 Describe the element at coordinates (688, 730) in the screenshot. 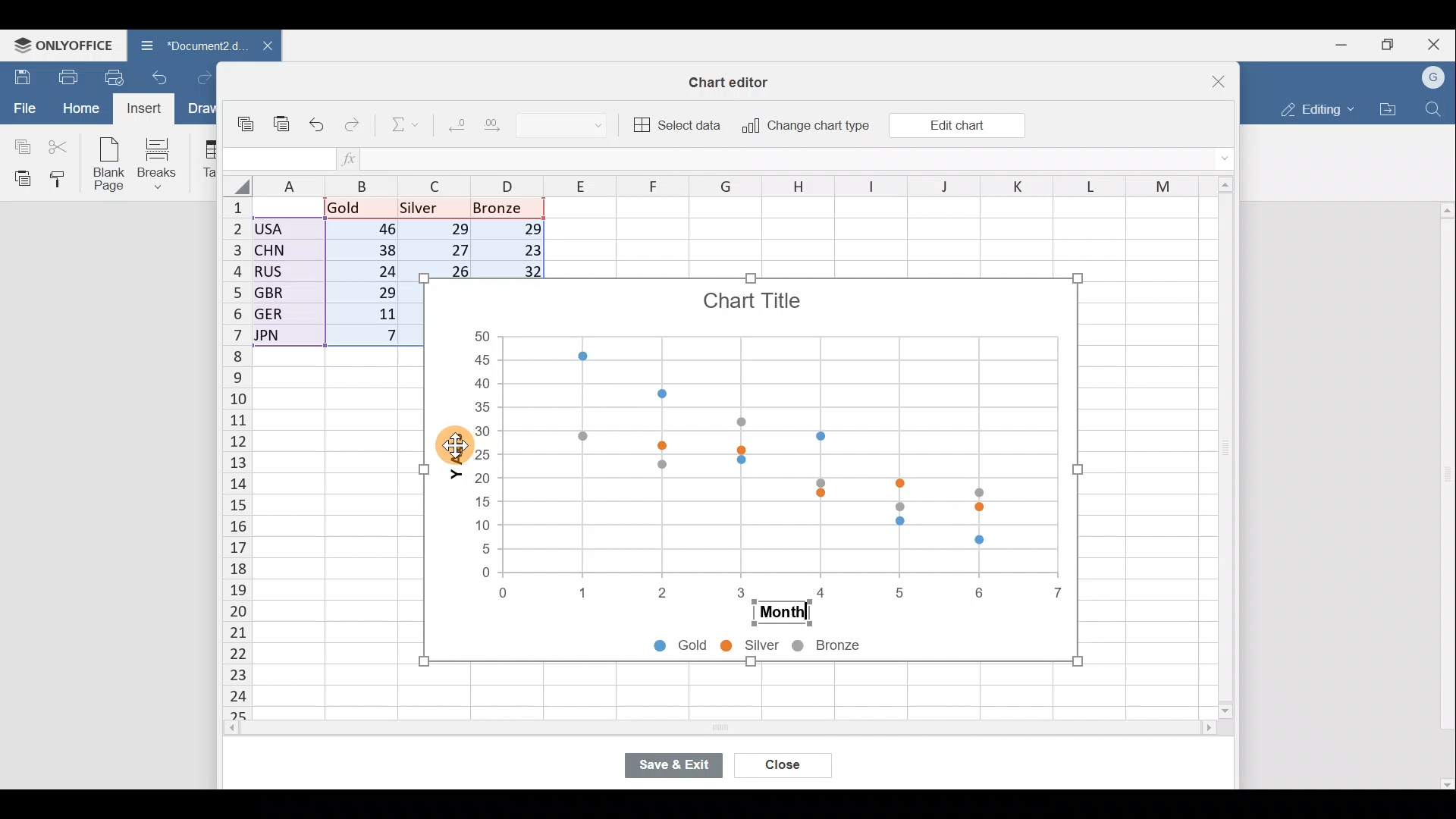

I see `Scroll bar` at that location.